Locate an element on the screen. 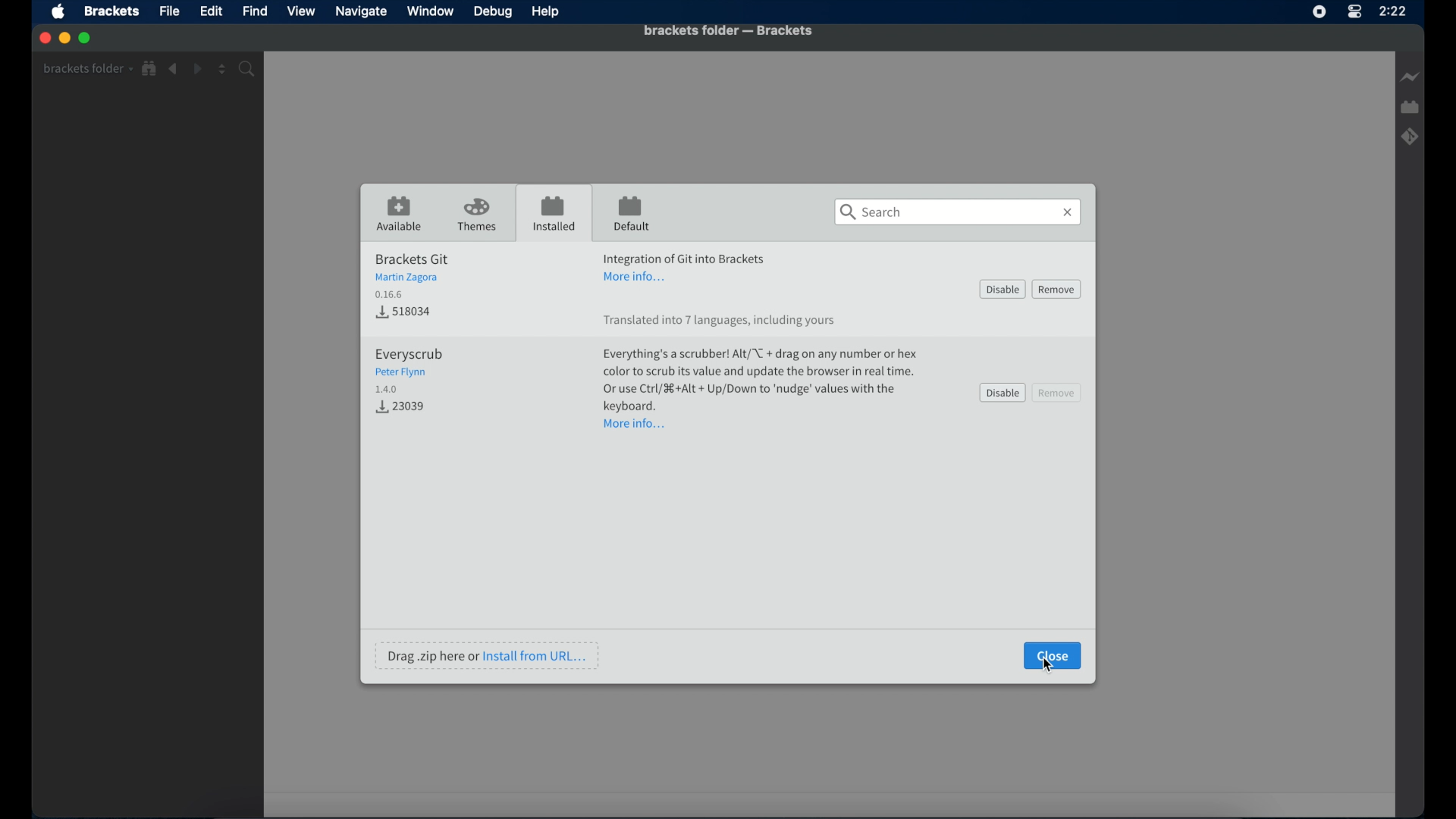  enable is located at coordinates (1003, 289).